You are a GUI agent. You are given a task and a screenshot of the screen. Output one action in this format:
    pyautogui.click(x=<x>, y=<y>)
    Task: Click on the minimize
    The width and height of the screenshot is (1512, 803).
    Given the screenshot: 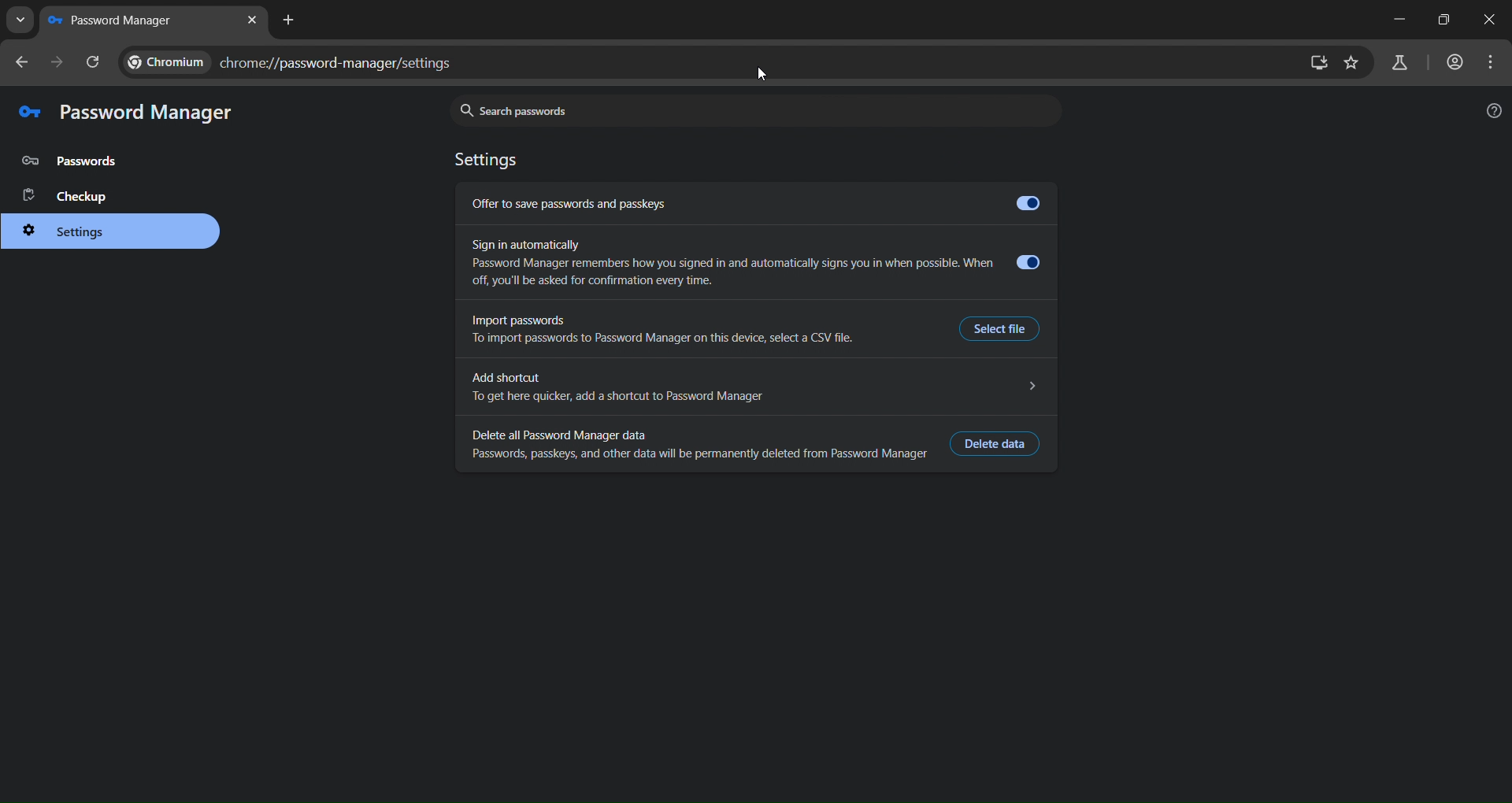 What is the action you would take?
    pyautogui.click(x=1394, y=20)
    